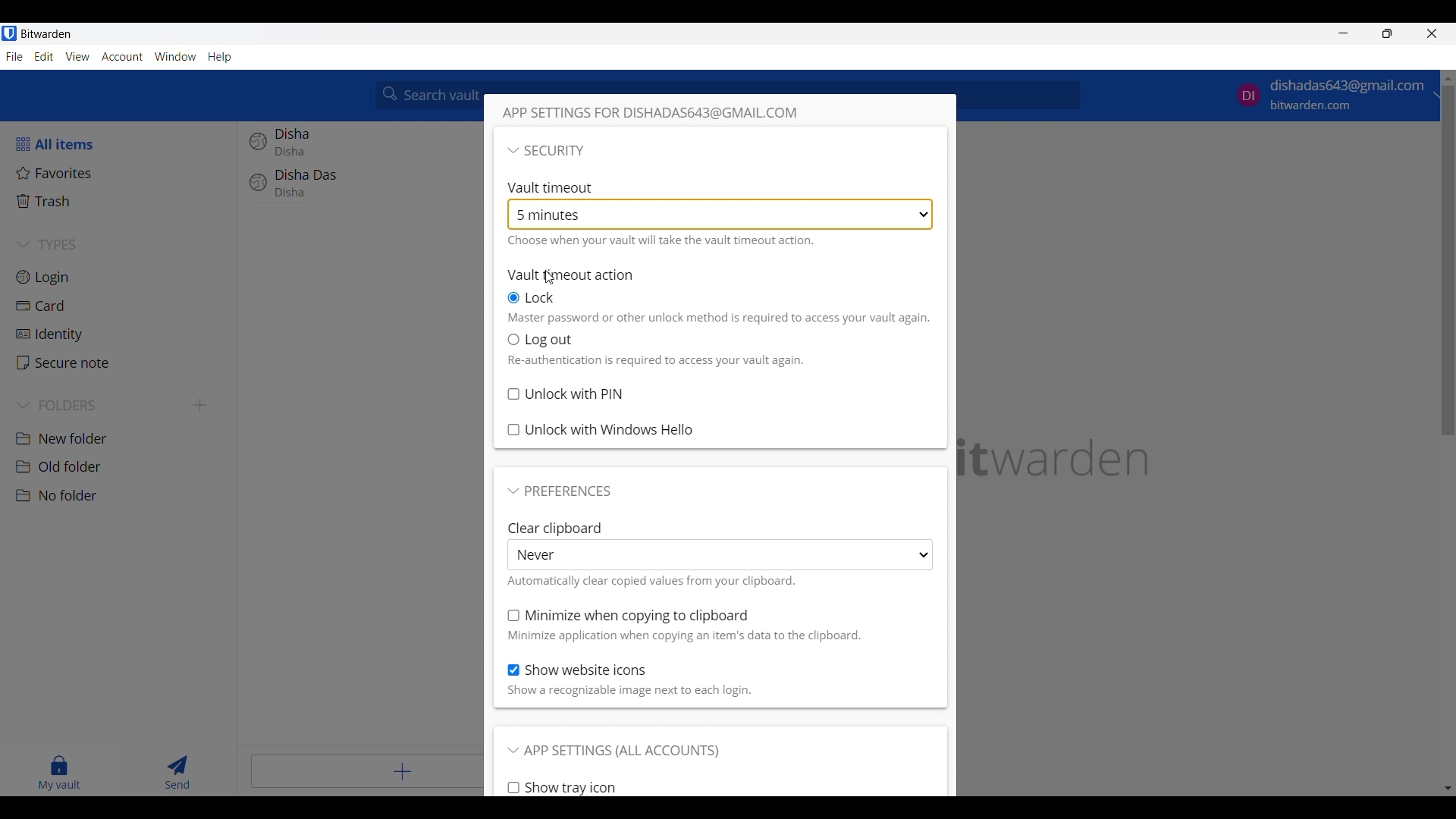  Describe the element at coordinates (121, 466) in the screenshot. I see `Old folder` at that location.